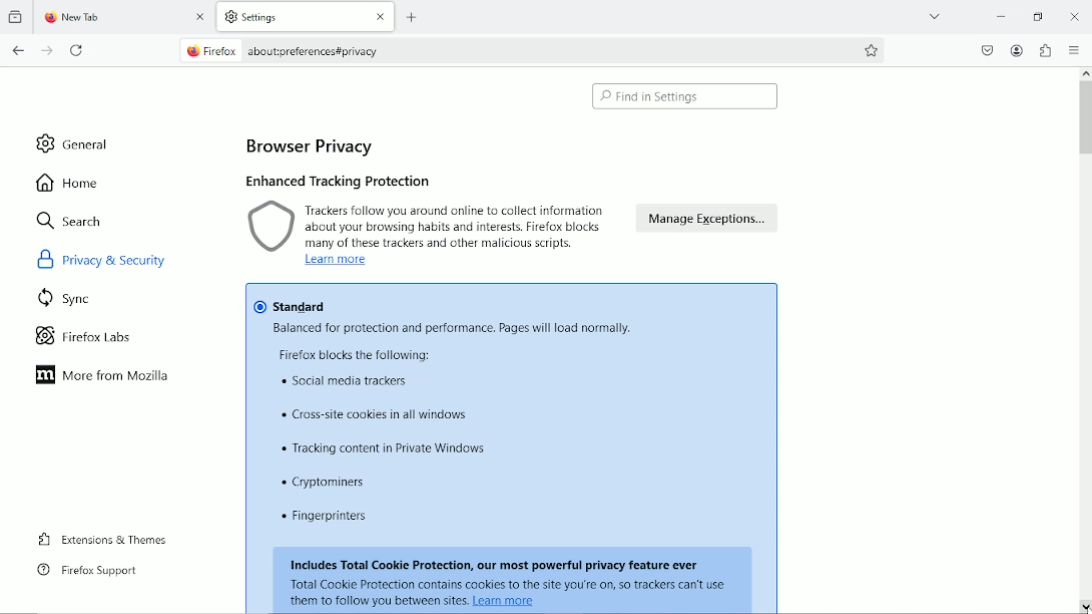 This screenshot has width=1092, height=614. I want to click on includes Total Coslie Protection, our mest powerful privacy feature ever, so click(496, 561).